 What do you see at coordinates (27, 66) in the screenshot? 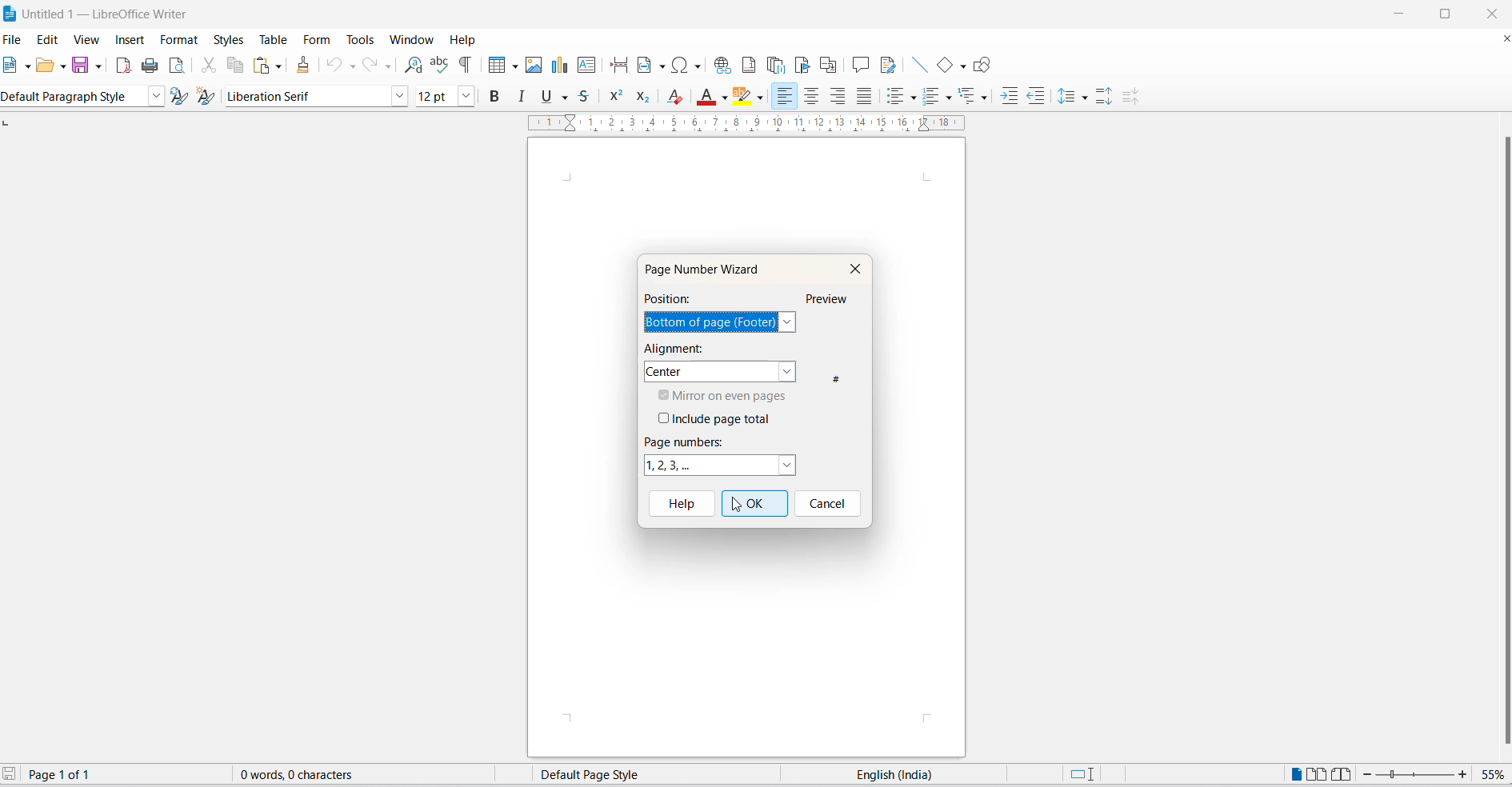
I see `new file options` at bounding box center [27, 66].